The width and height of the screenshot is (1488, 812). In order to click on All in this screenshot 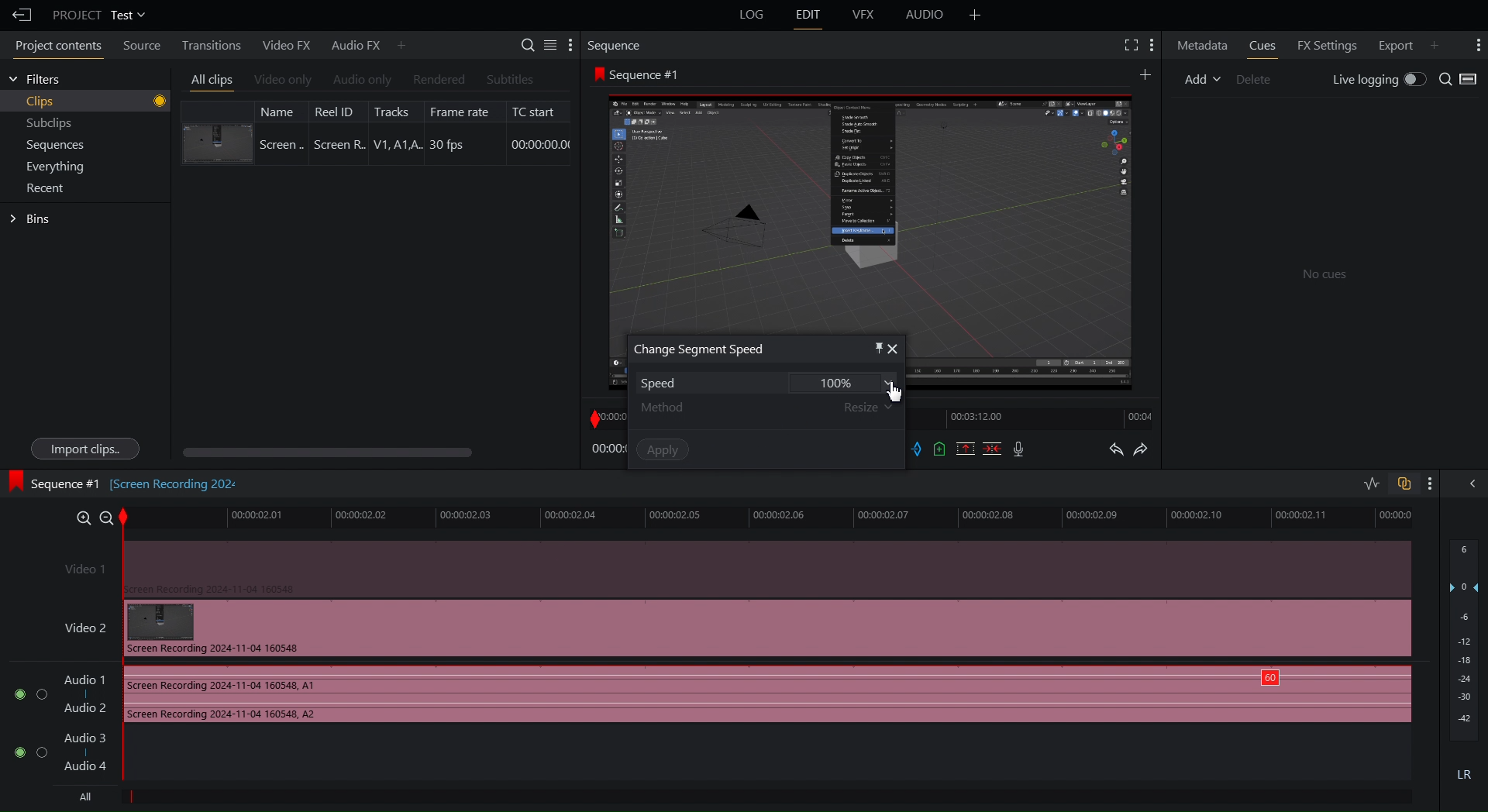, I will do `click(81, 797)`.